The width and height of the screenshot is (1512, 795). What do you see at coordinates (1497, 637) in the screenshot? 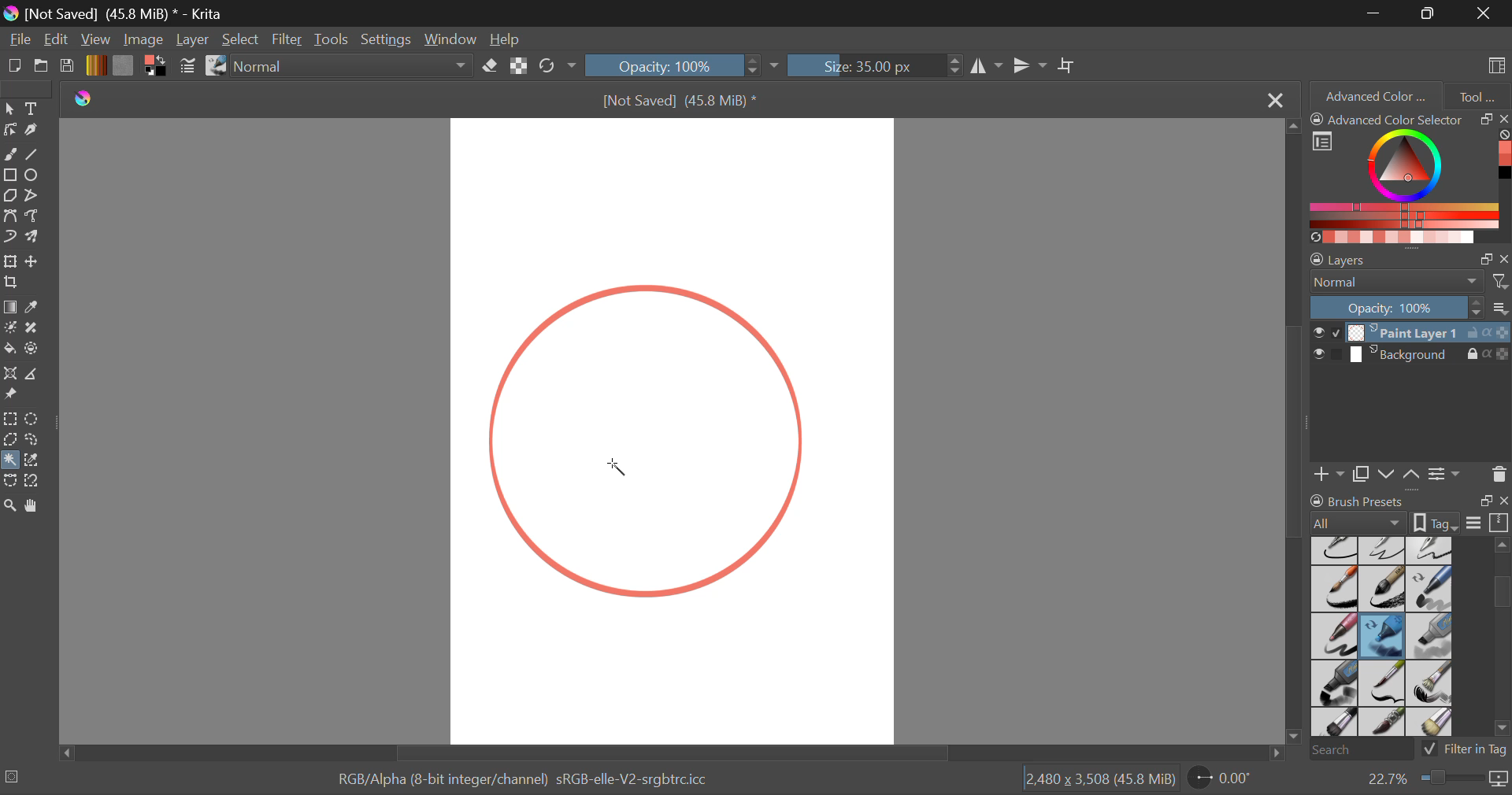
I see `slider` at bounding box center [1497, 637].